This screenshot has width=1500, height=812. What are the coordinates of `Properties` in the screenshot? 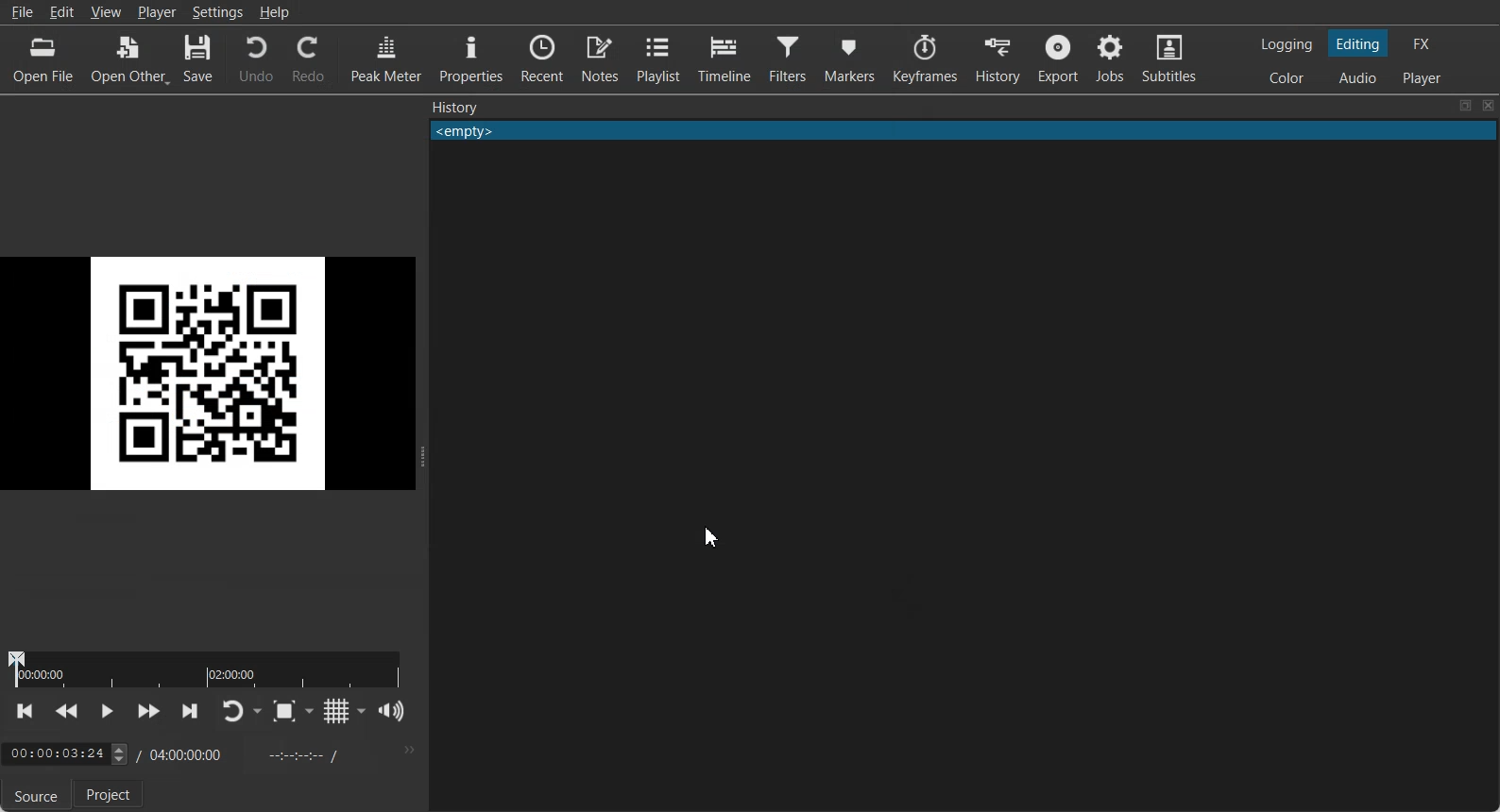 It's located at (470, 56).